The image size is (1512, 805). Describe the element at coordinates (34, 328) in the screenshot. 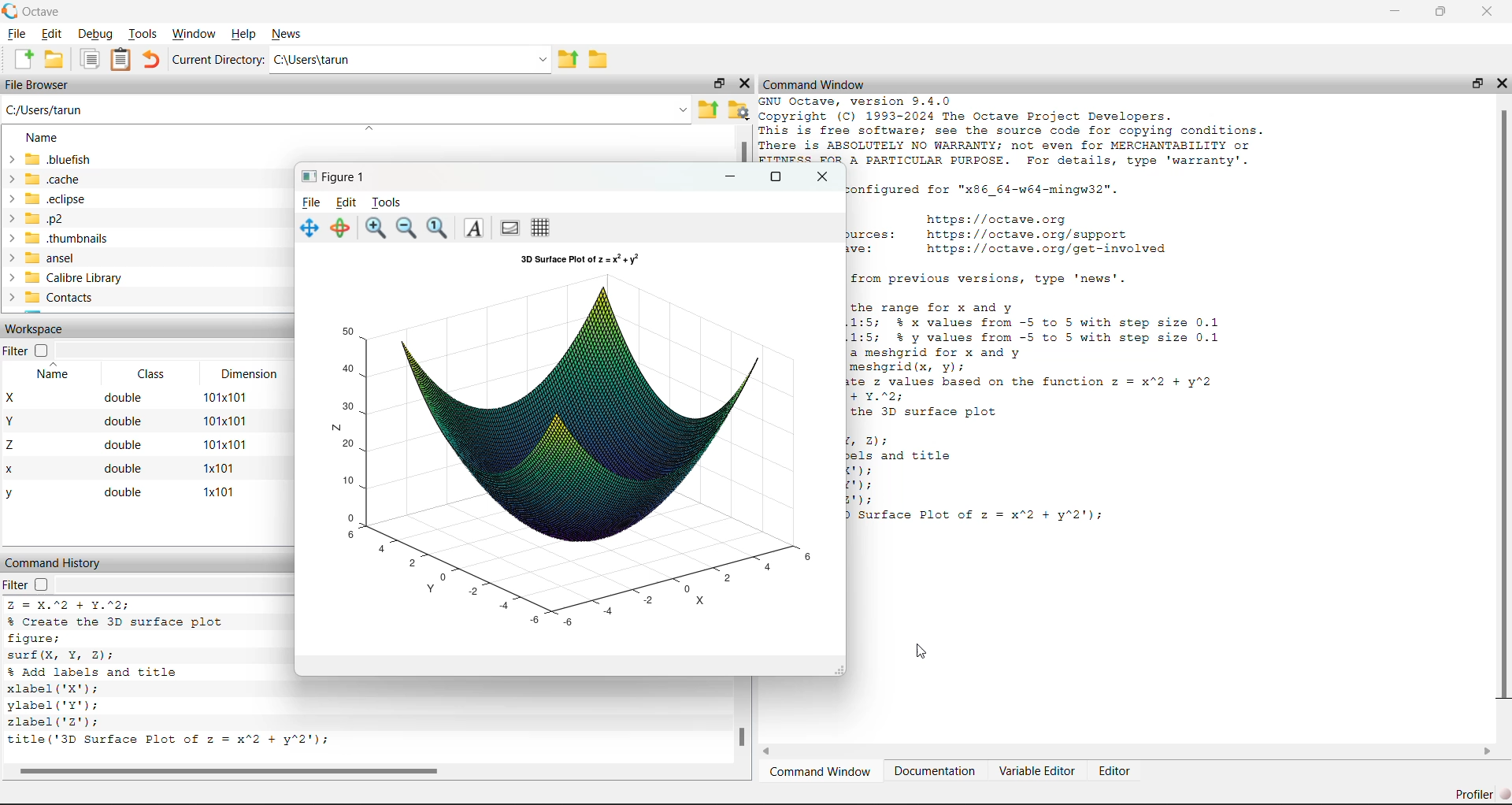

I see `Workspace` at that location.